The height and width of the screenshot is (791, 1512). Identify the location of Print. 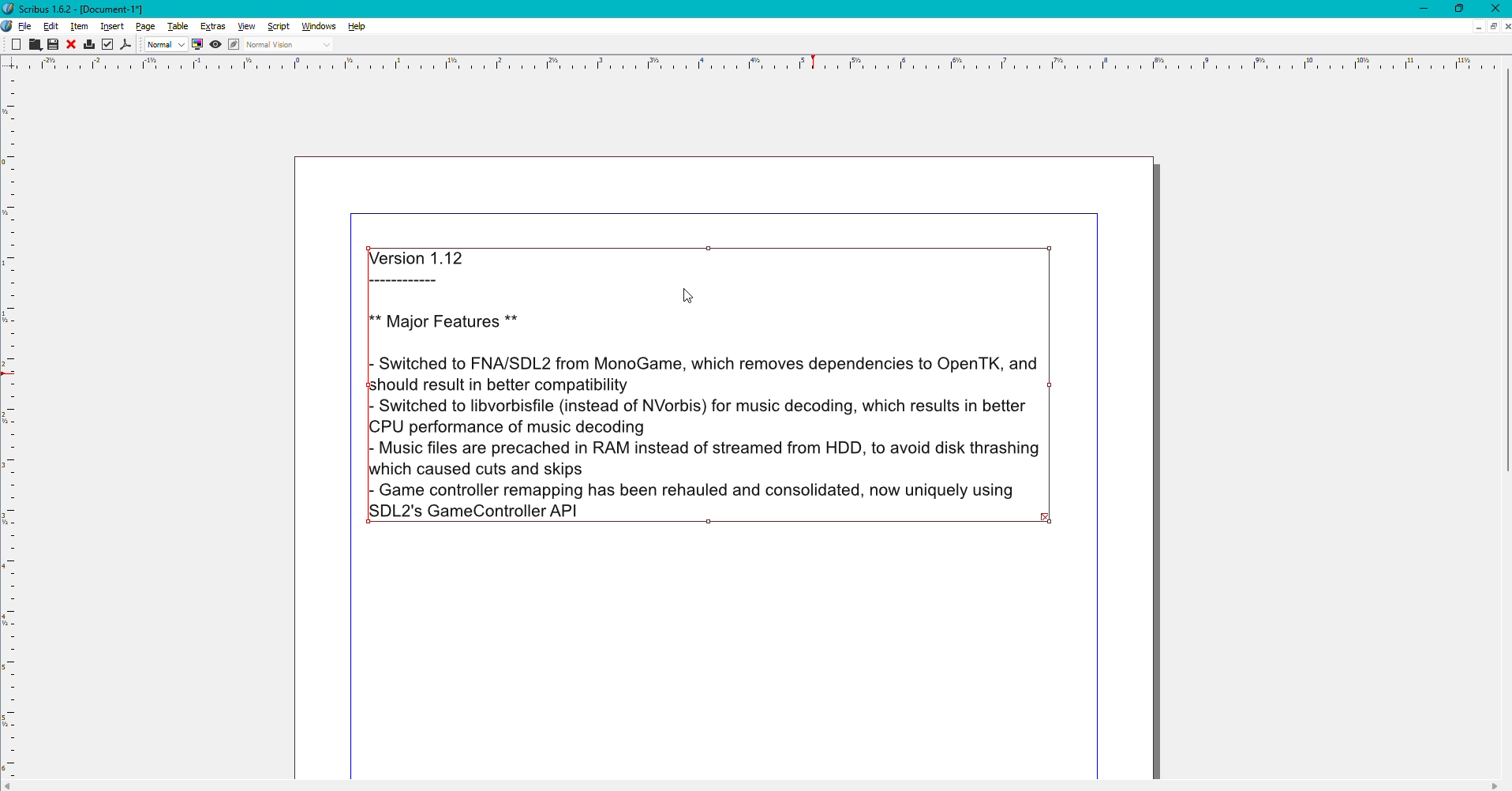
(87, 44).